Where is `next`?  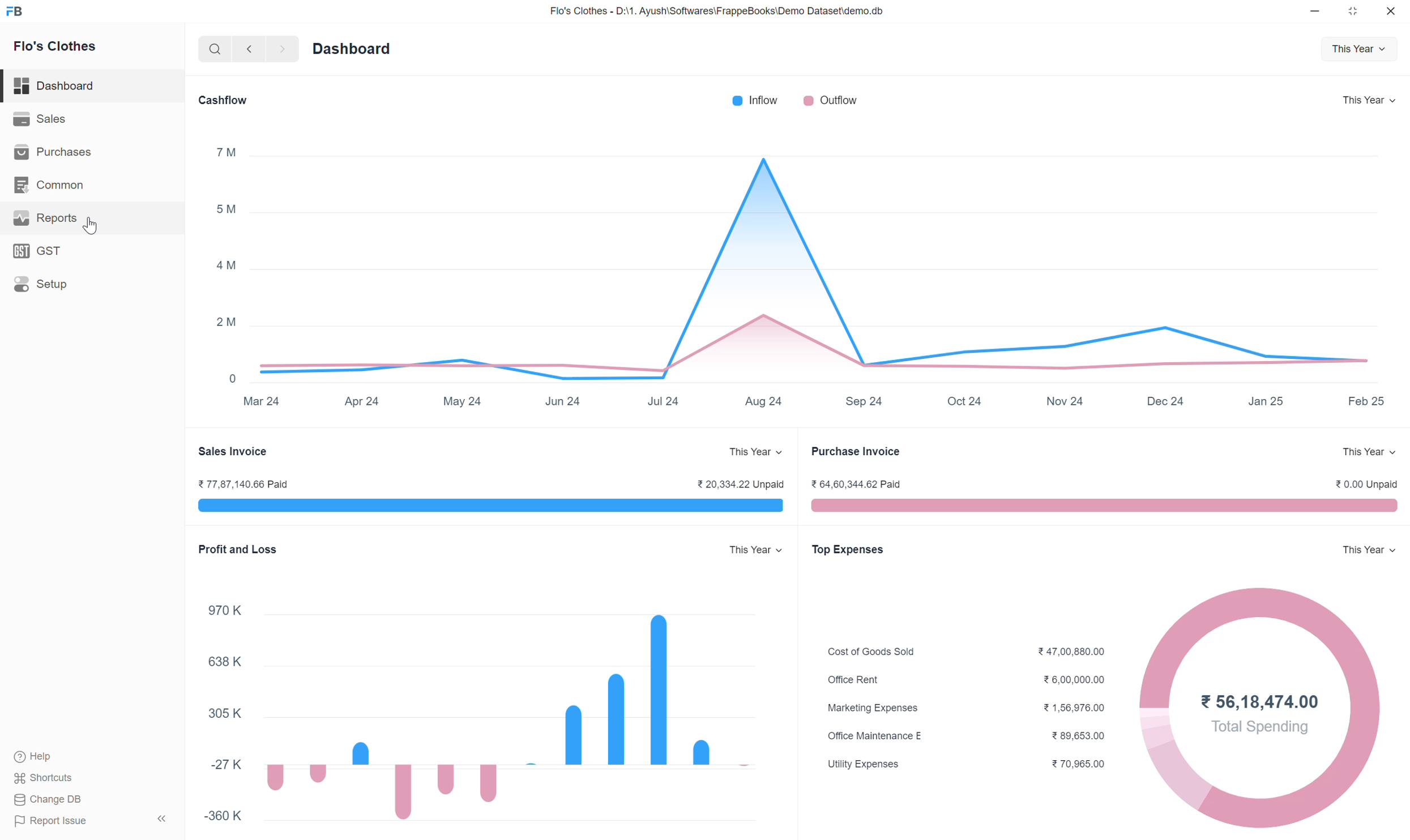
next is located at coordinates (282, 49).